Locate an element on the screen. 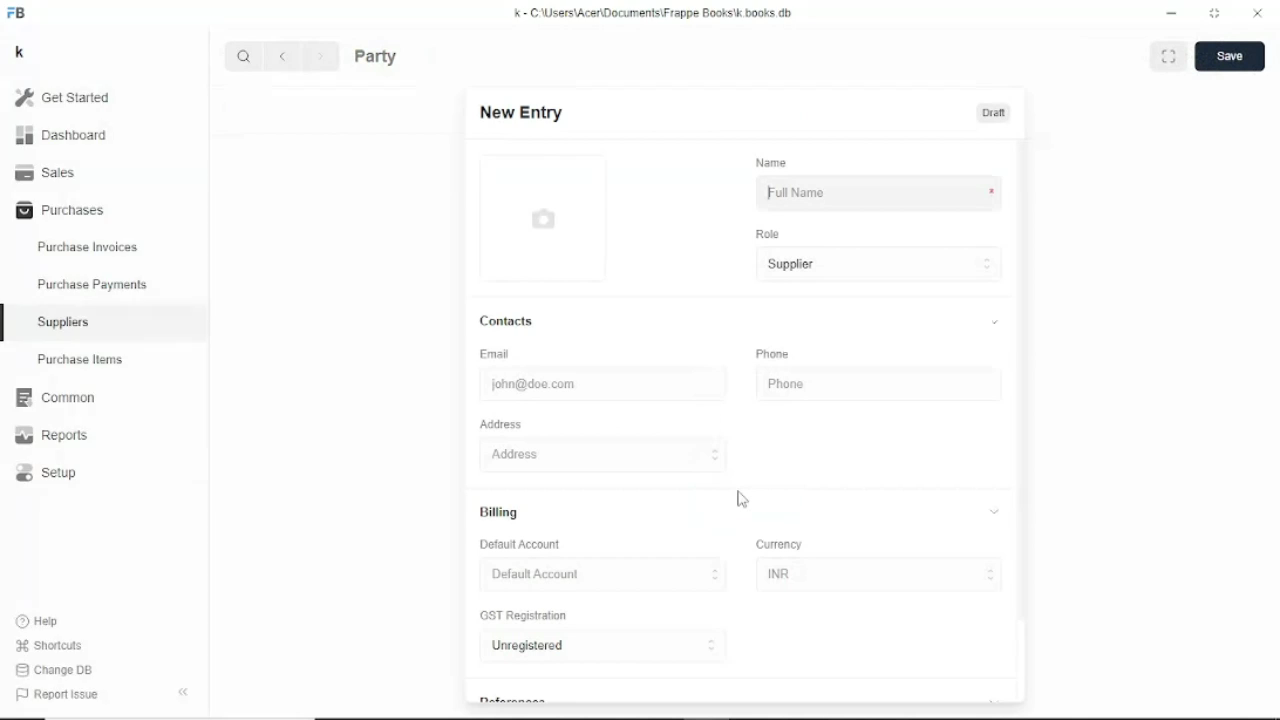 Image resolution: width=1280 pixels, height=720 pixels. Default account is located at coordinates (522, 545).